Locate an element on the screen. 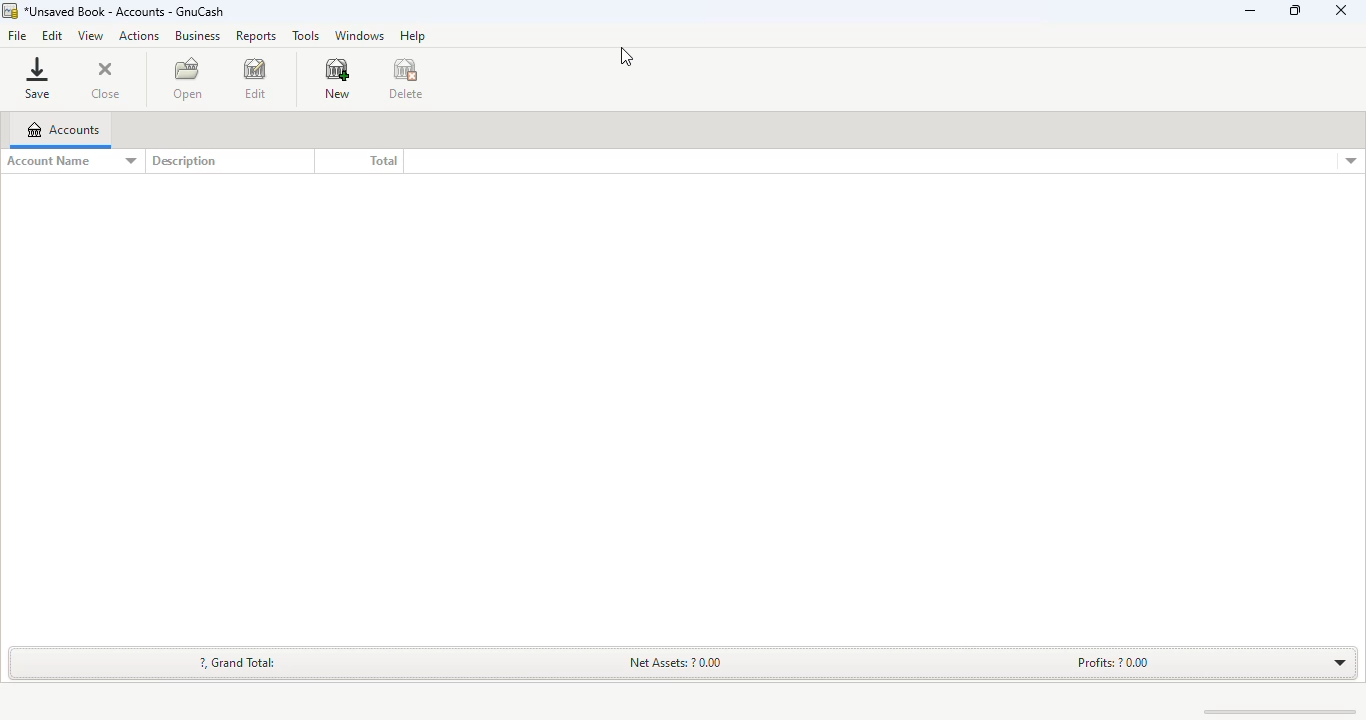 Image resolution: width=1366 pixels, height=720 pixels. edit is located at coordinates (254, 80).